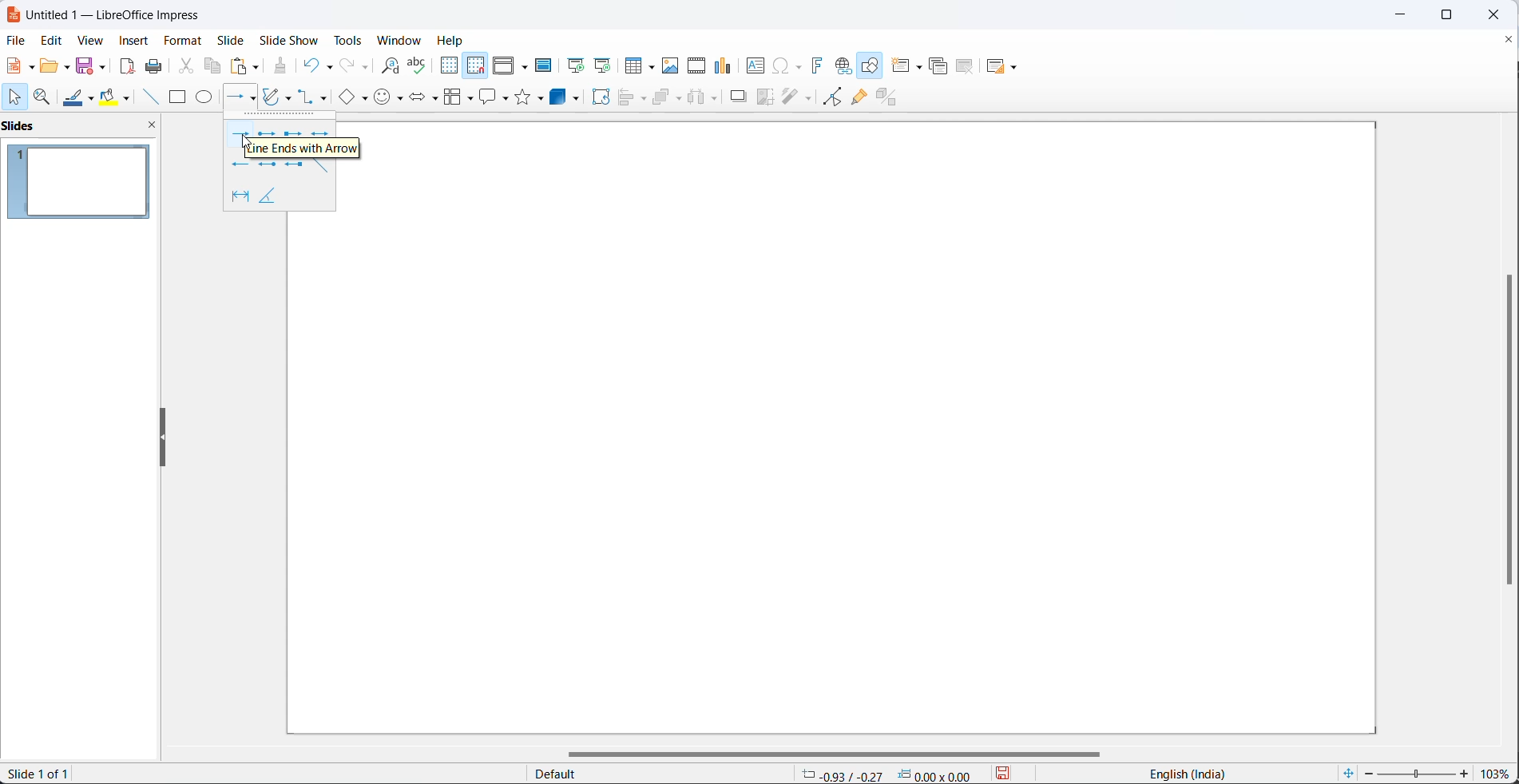 The height and width of the screenshot is (784, 1519). What do you see at coordinates (291, 132) in the screenshot?
I see `arrow pointing right with square tail` at bounding box center [291, 132].